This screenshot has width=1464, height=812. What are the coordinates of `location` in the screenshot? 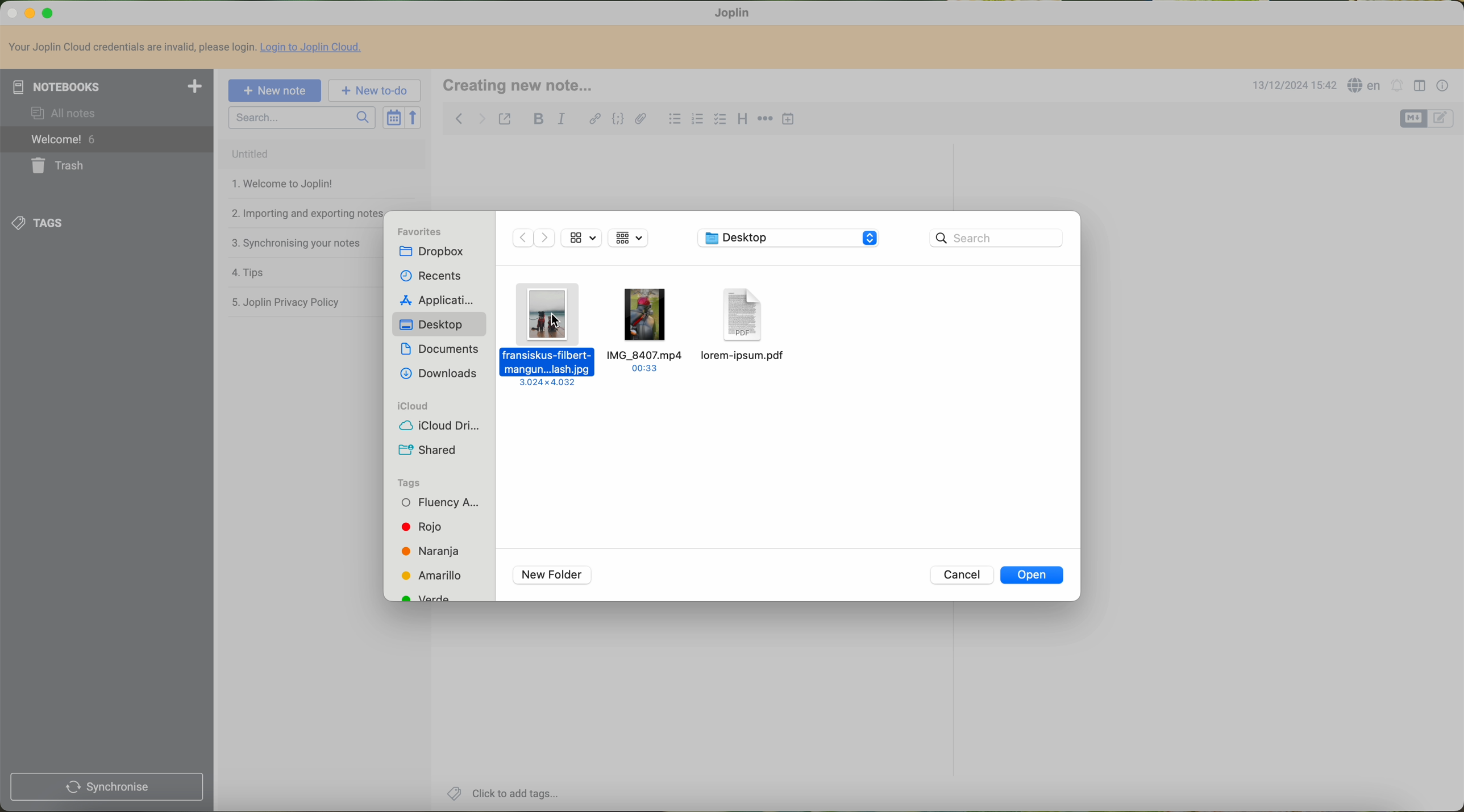 It's located at (788, 240).